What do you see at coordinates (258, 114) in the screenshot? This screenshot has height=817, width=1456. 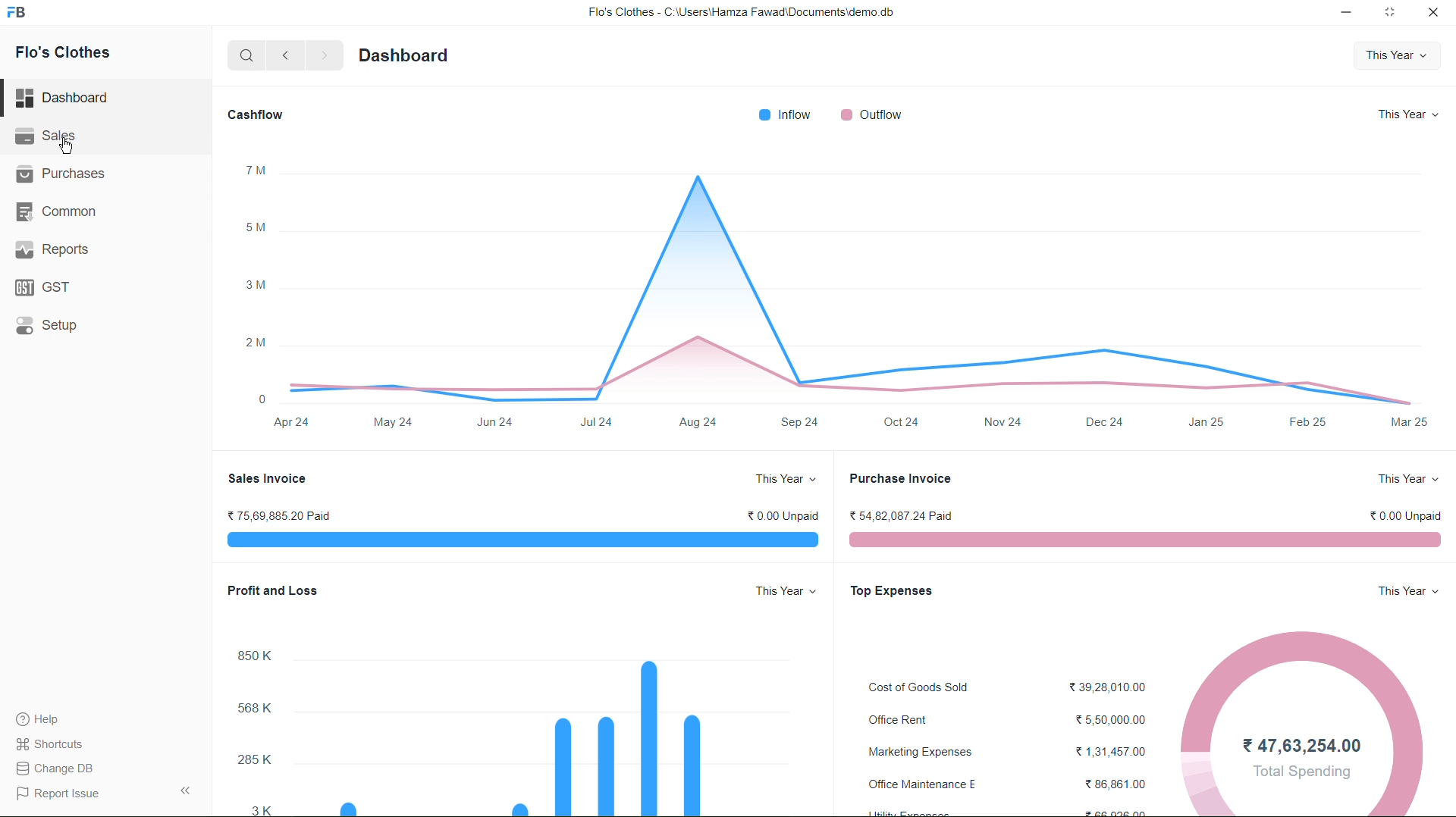 I see `Cashflow` at bounding box center [258, 114].